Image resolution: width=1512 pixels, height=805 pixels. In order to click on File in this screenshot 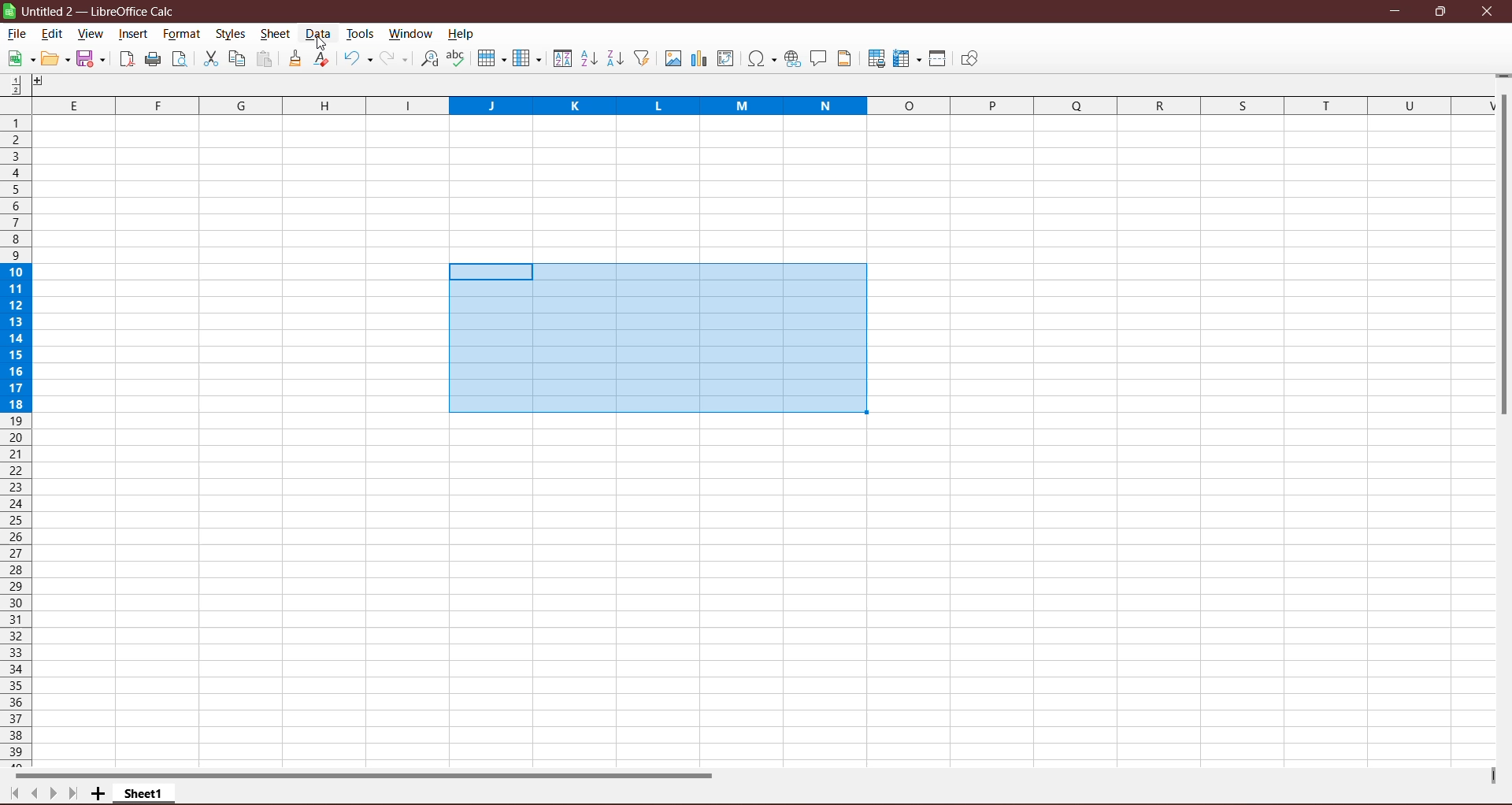, I will do `click(17, 34)`.